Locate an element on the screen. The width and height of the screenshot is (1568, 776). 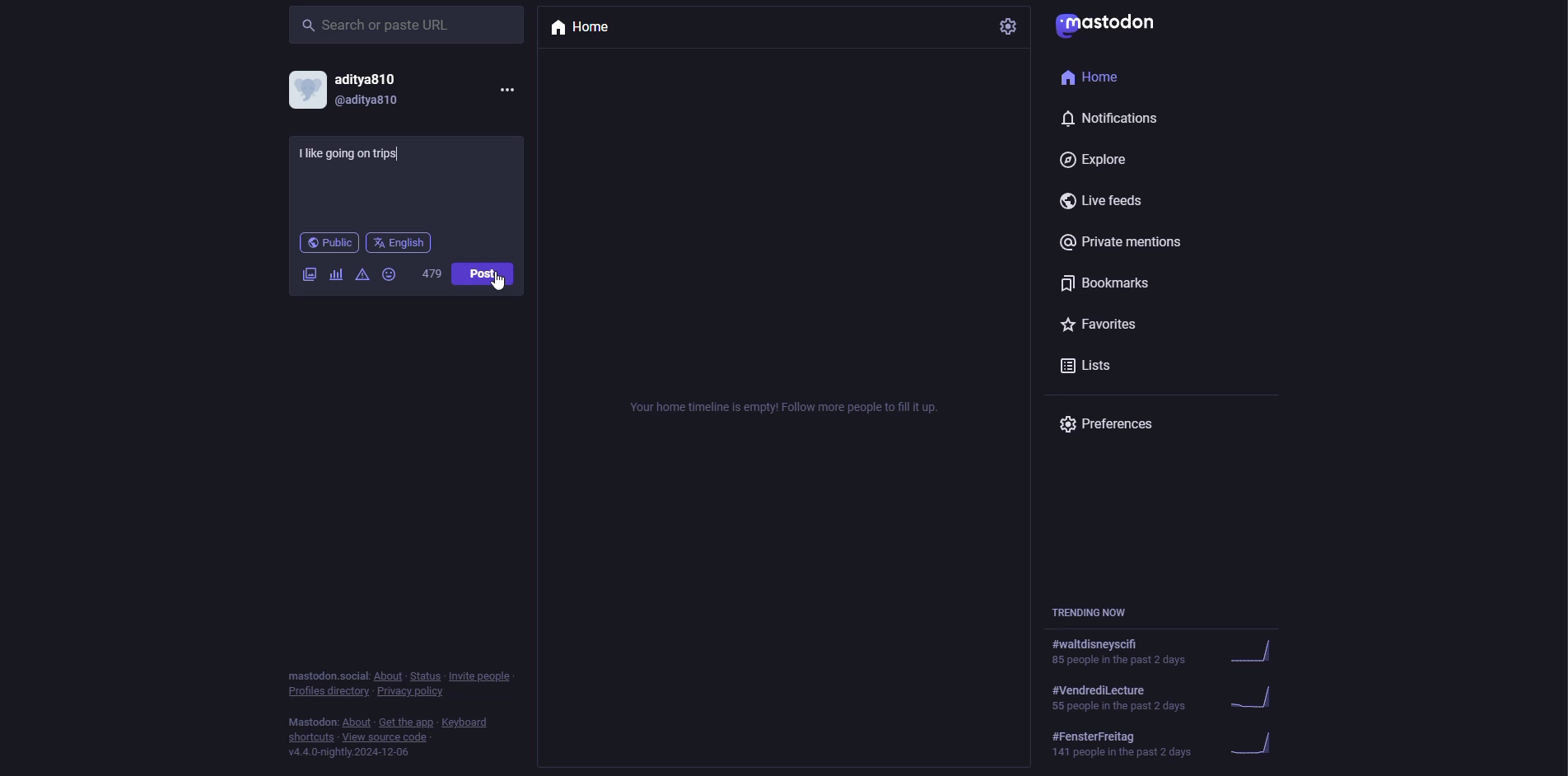
trending now is located at coordinates (1174, 652).